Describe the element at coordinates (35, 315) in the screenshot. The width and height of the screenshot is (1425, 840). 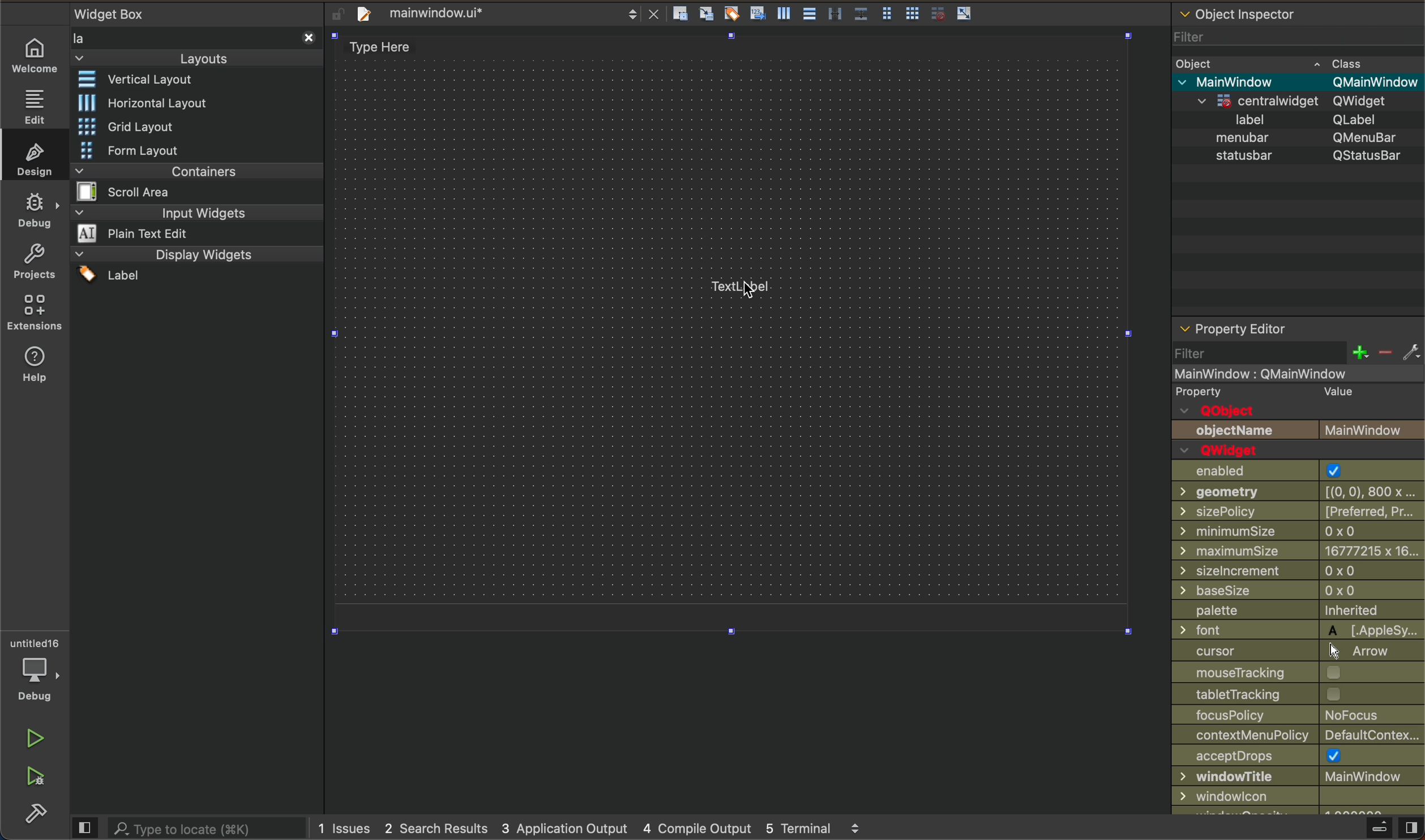
I see `extensions` at that location.